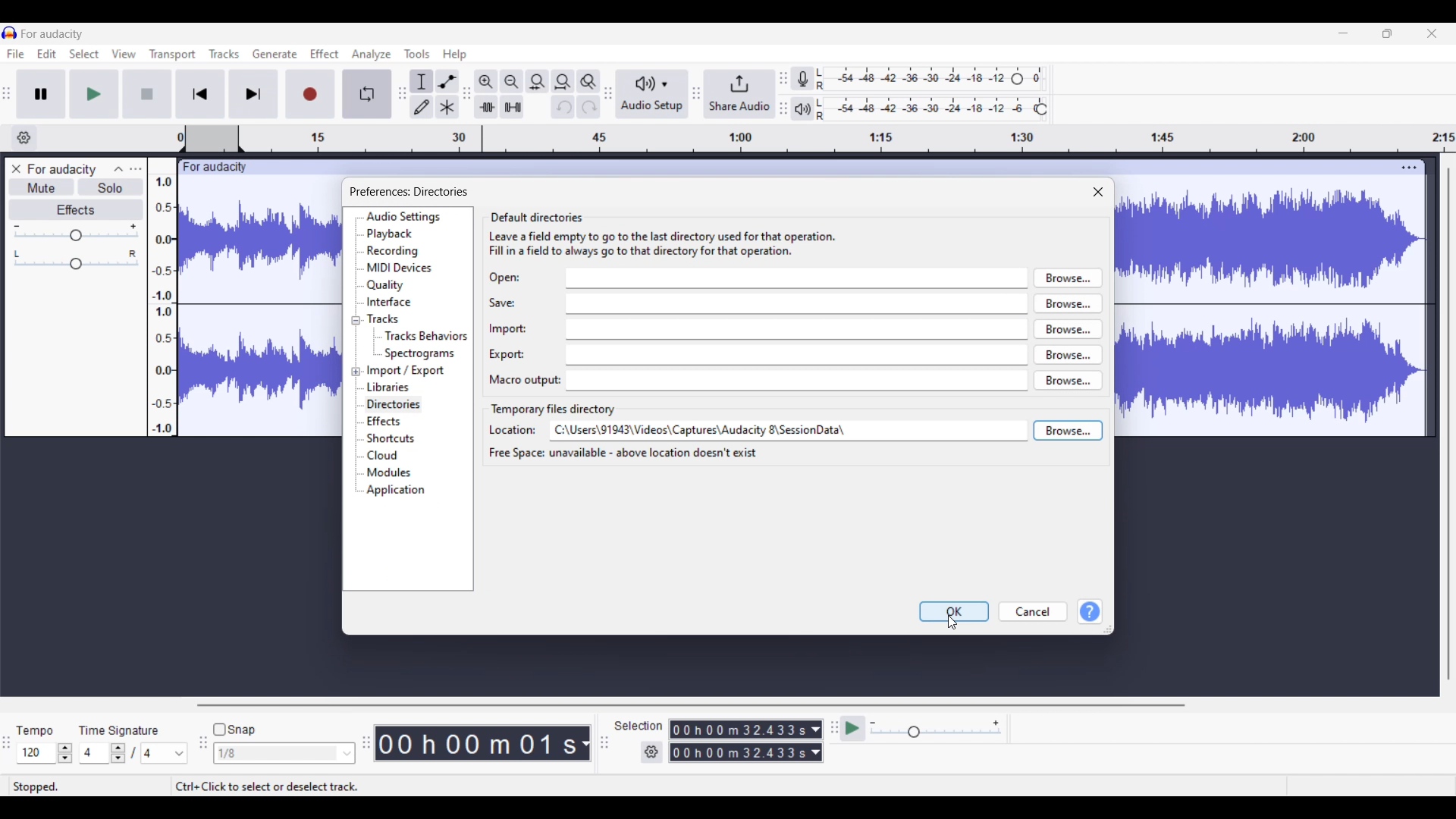 The width and height of the screenshot is (1456, 819). What do you see at coordinates (1257, 297) in the screenshot?
I see `Current track` at bounding box center [1257, 297].